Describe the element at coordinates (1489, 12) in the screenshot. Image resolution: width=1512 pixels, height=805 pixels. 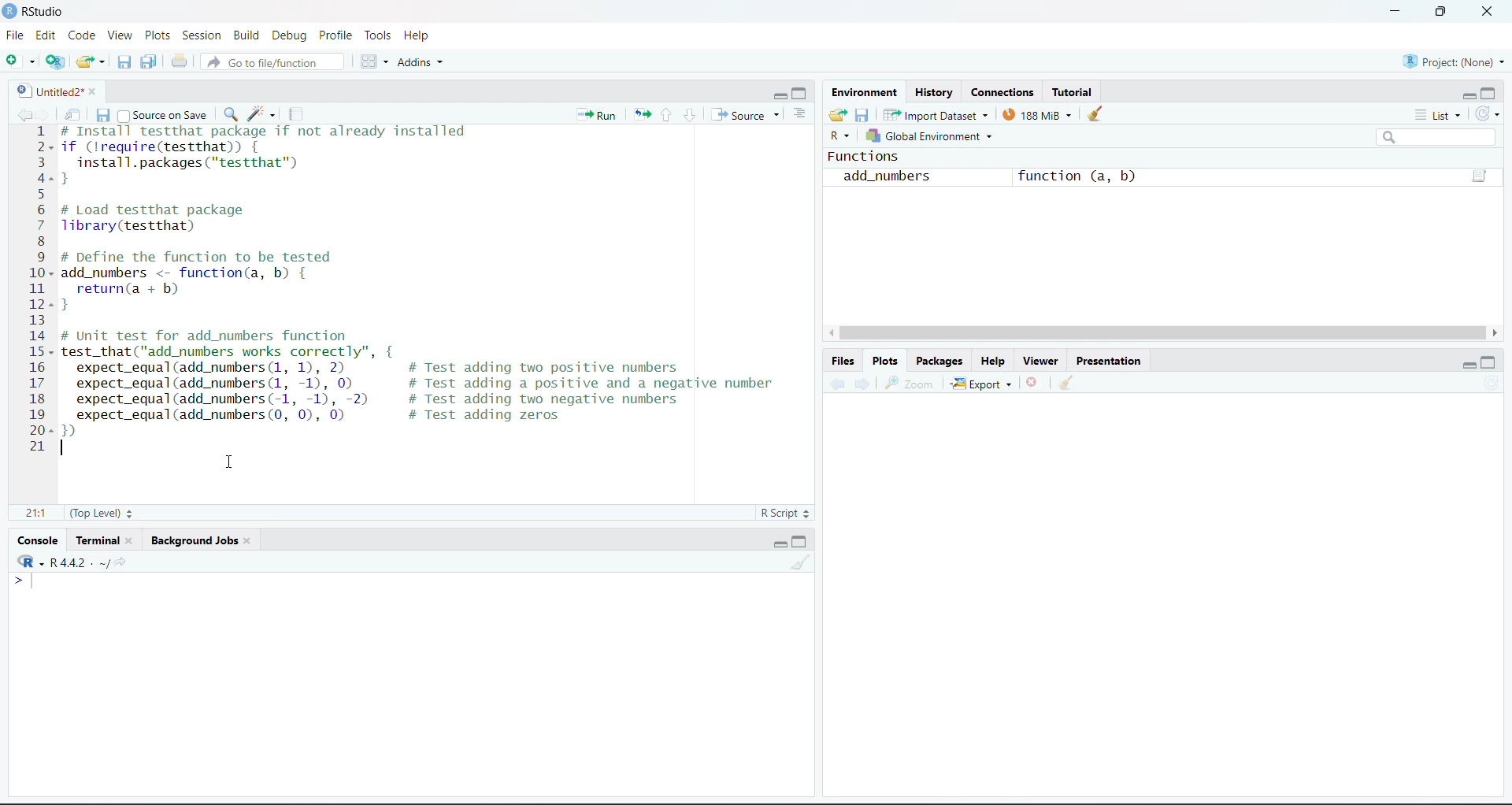
I see `close` at that location.